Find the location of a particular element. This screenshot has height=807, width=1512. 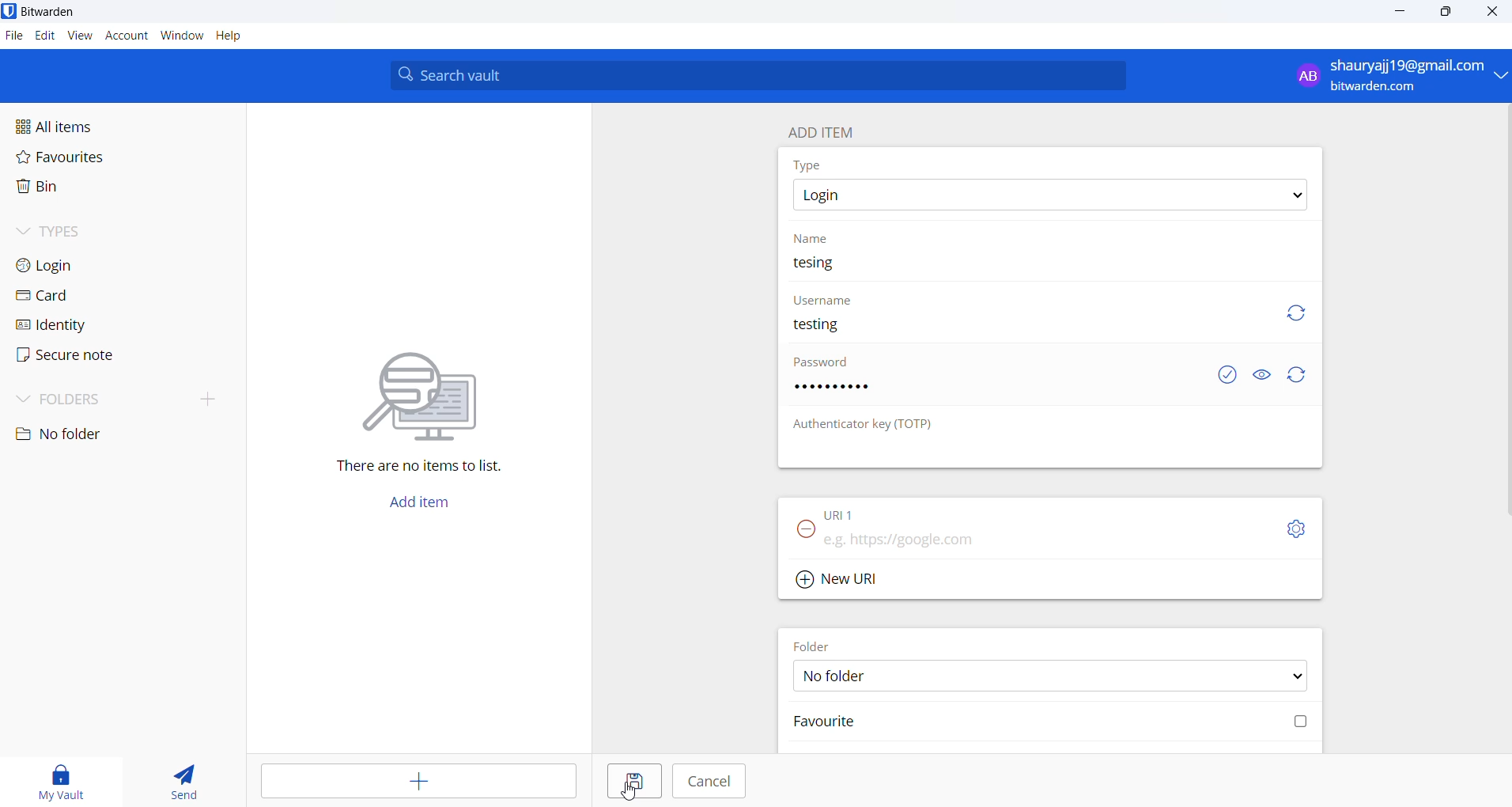

sign in and sign out options is located at coordinates (1397, 76).